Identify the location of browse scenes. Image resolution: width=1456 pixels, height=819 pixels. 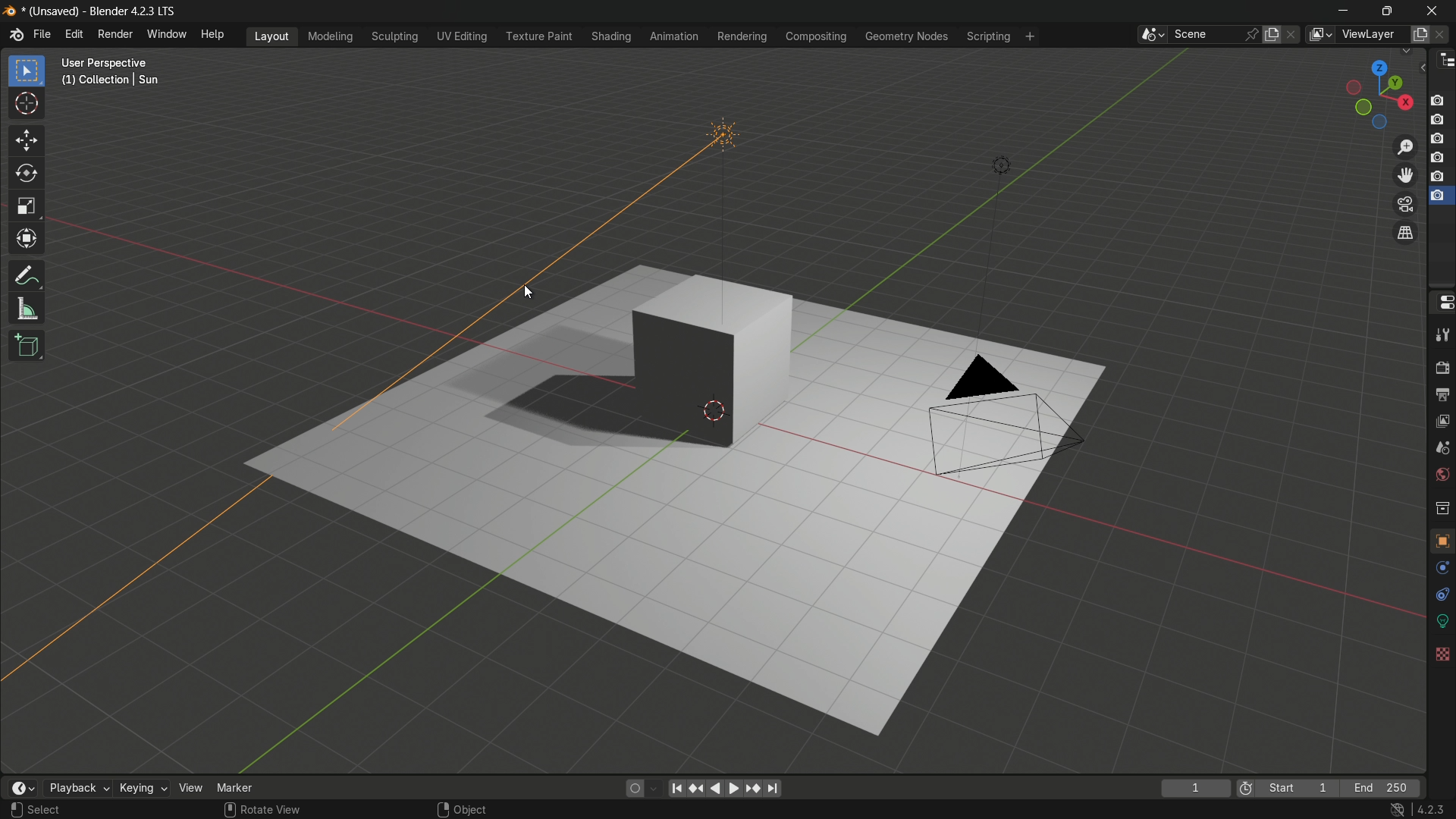
(1148, 35).